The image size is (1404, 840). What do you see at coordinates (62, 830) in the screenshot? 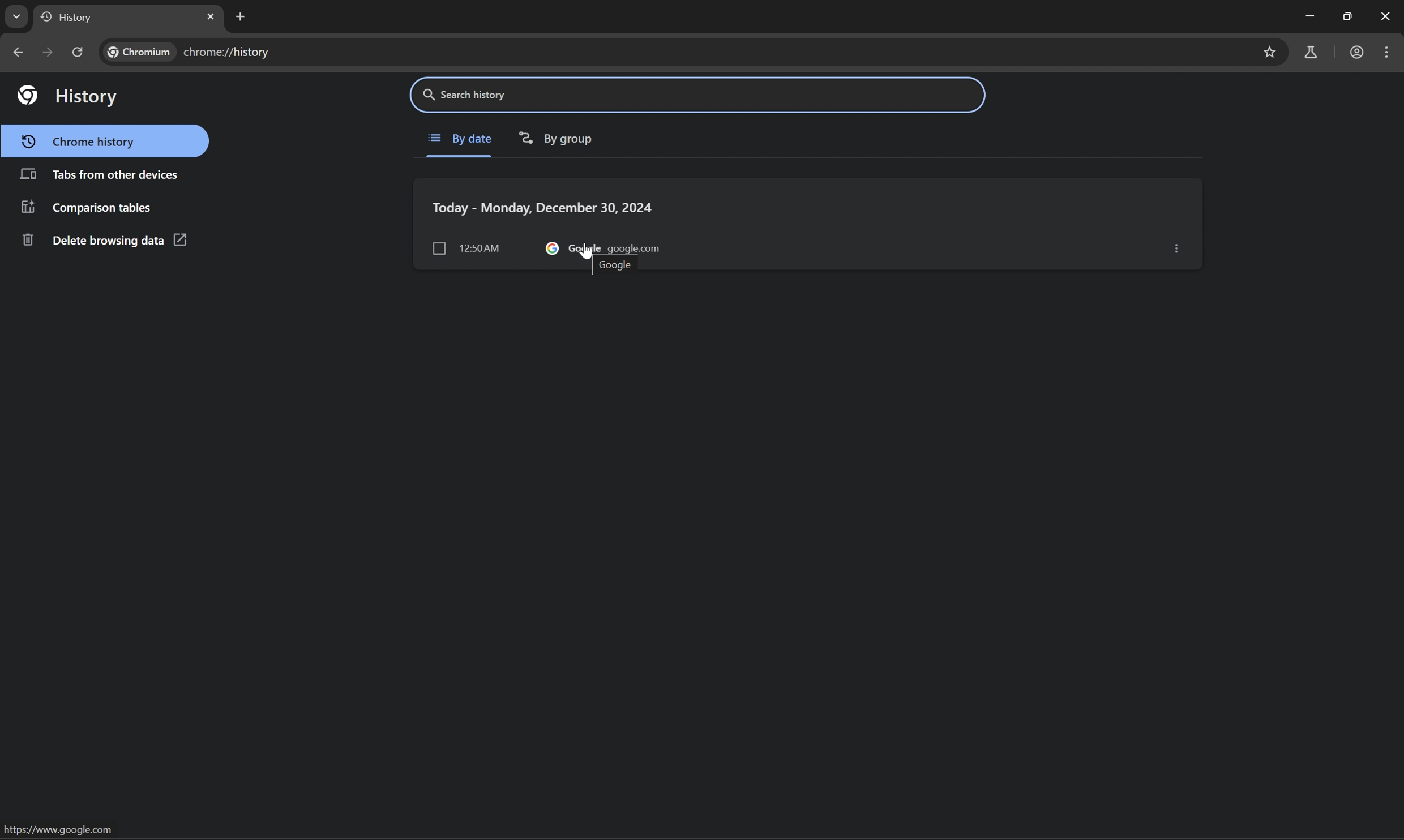
I see `https://www.google.com` at bounding box center [62, 830].